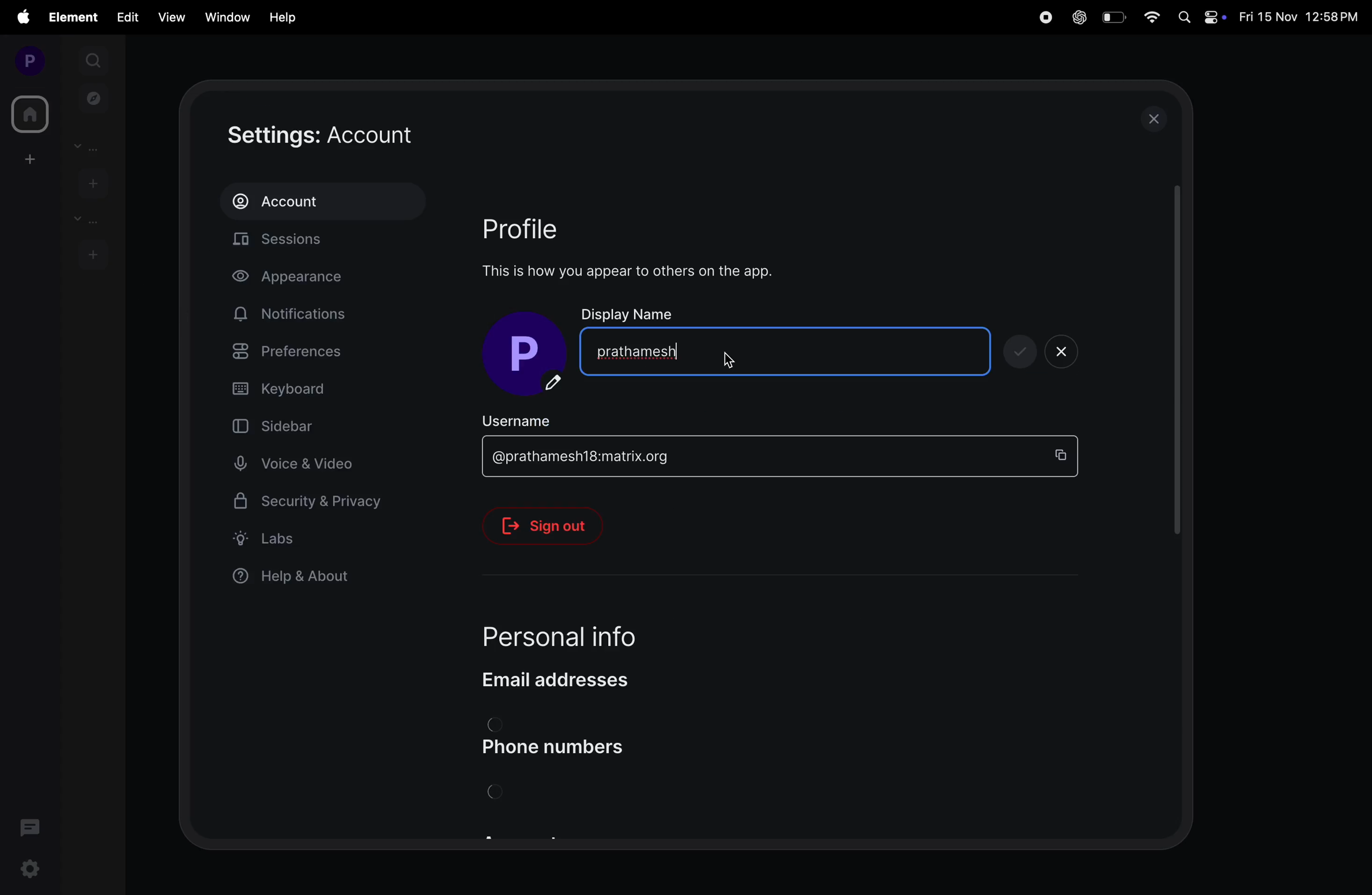  What do you see at coordinates (755, 457) in the screenshot?
I see `matrix mail.id` at bounding box center [755, 457].